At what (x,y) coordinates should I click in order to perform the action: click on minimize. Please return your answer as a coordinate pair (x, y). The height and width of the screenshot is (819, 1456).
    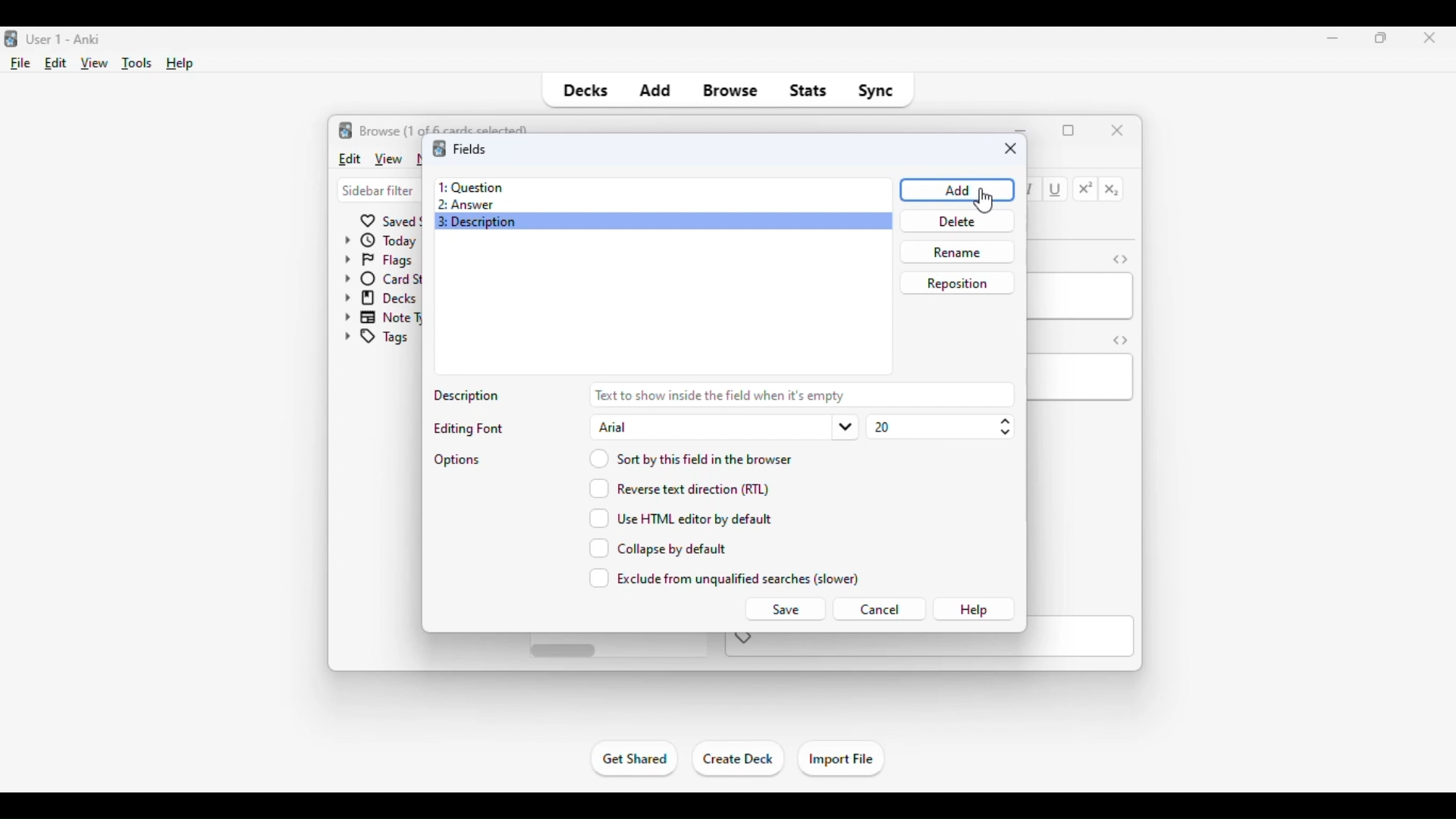
    Looking at the image, I should click on (1333, 37).